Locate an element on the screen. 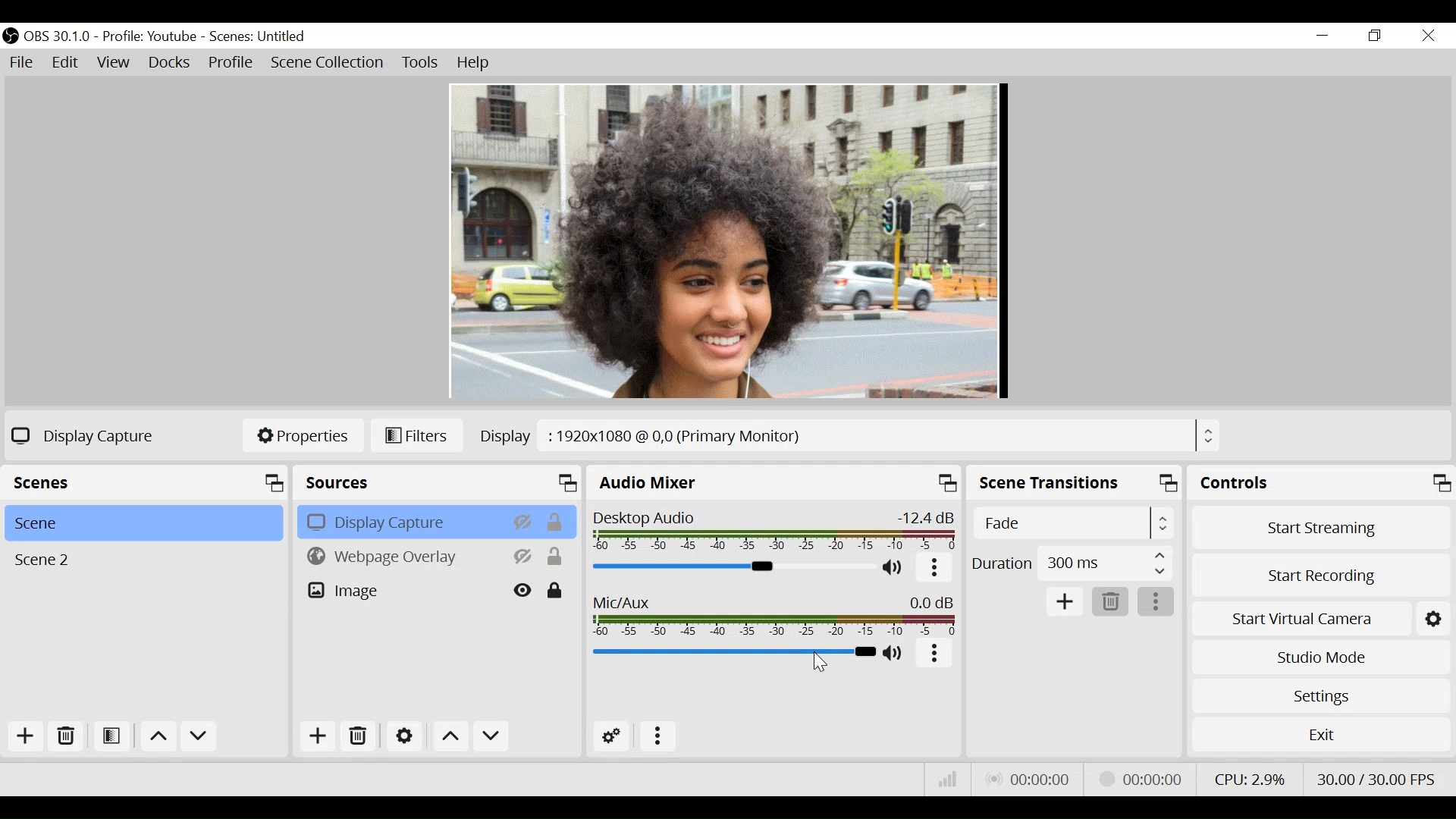 The image size is (1456, 819). Add is located at coordinates (318, 737).